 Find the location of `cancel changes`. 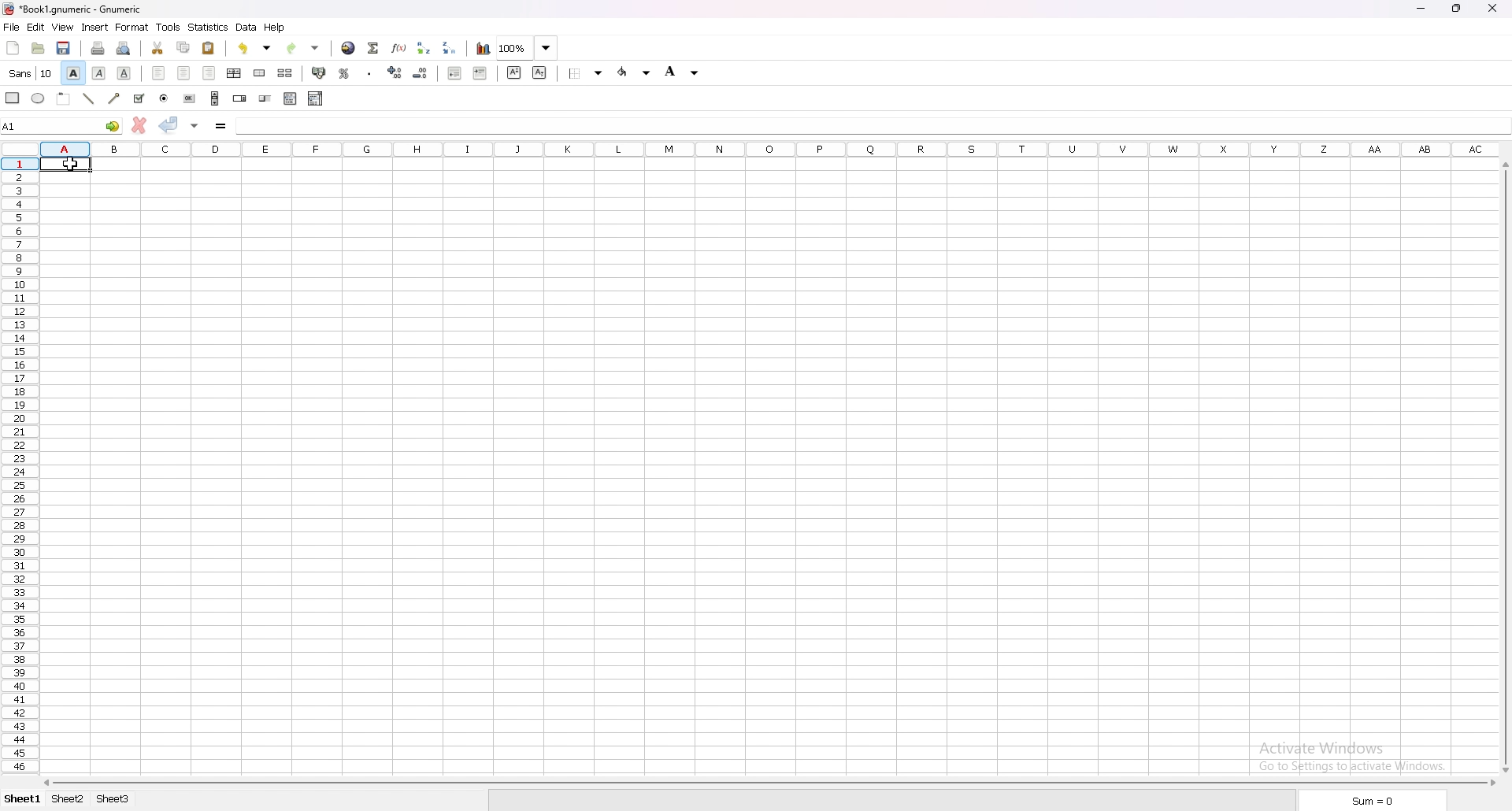

cancel changes is located at coordinates (142, 125).